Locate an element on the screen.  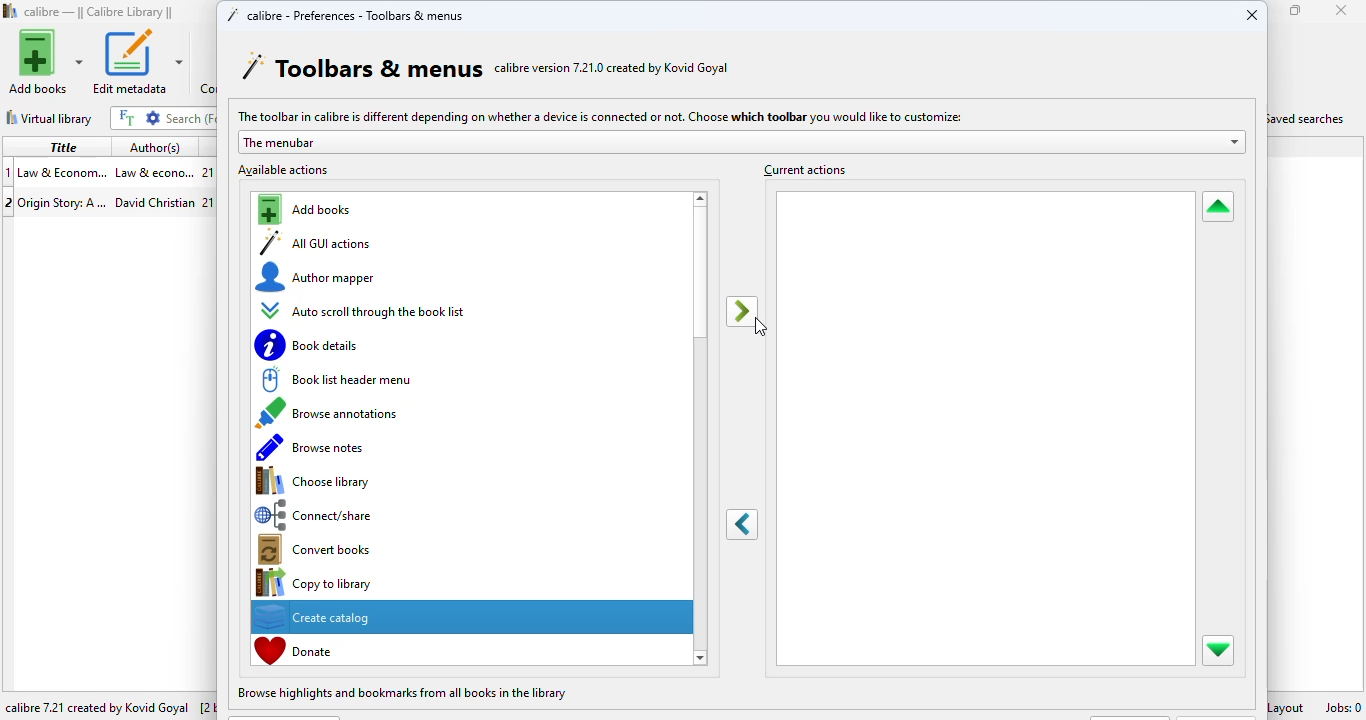
convert books is located at coordinates (319, 551).